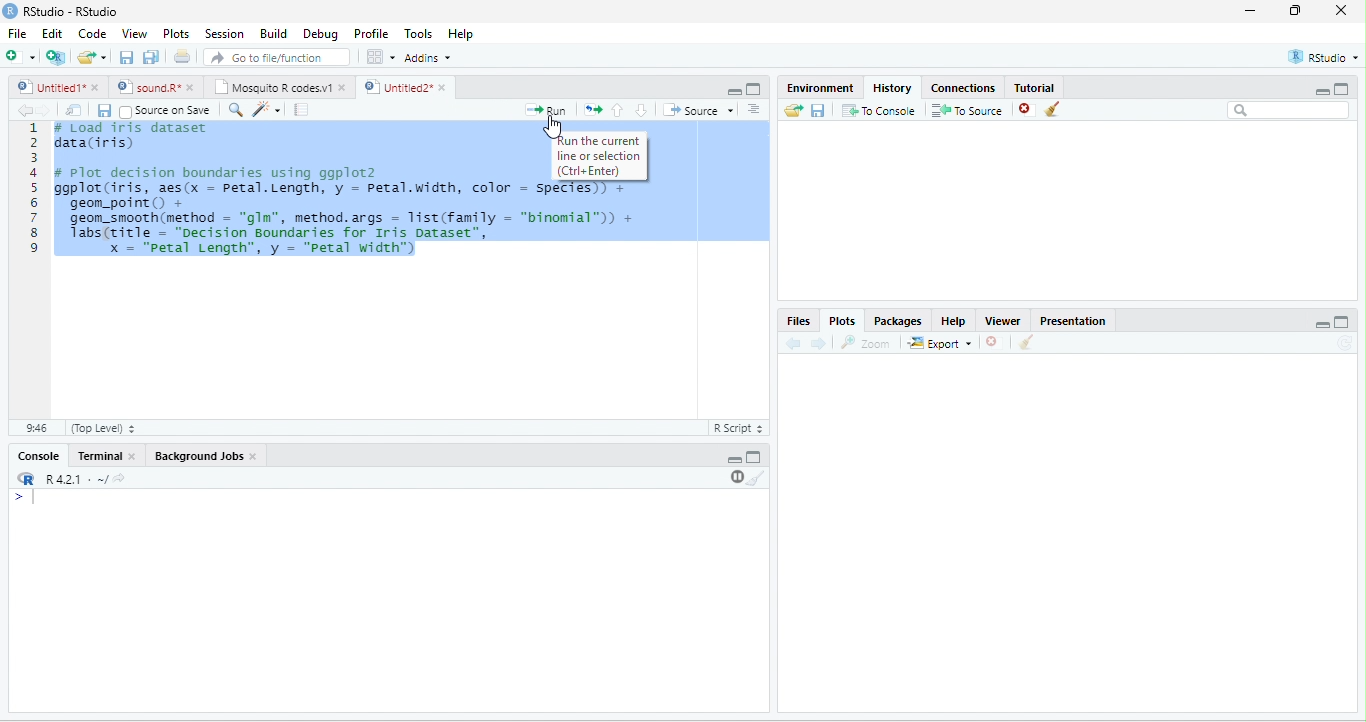 The image size is (1366, 722). What do you see at coordinates (600, 156) in the screenshot?
I see `Run the current line or selection (Ctrl+Enter)` at bounding box center [600, 156].